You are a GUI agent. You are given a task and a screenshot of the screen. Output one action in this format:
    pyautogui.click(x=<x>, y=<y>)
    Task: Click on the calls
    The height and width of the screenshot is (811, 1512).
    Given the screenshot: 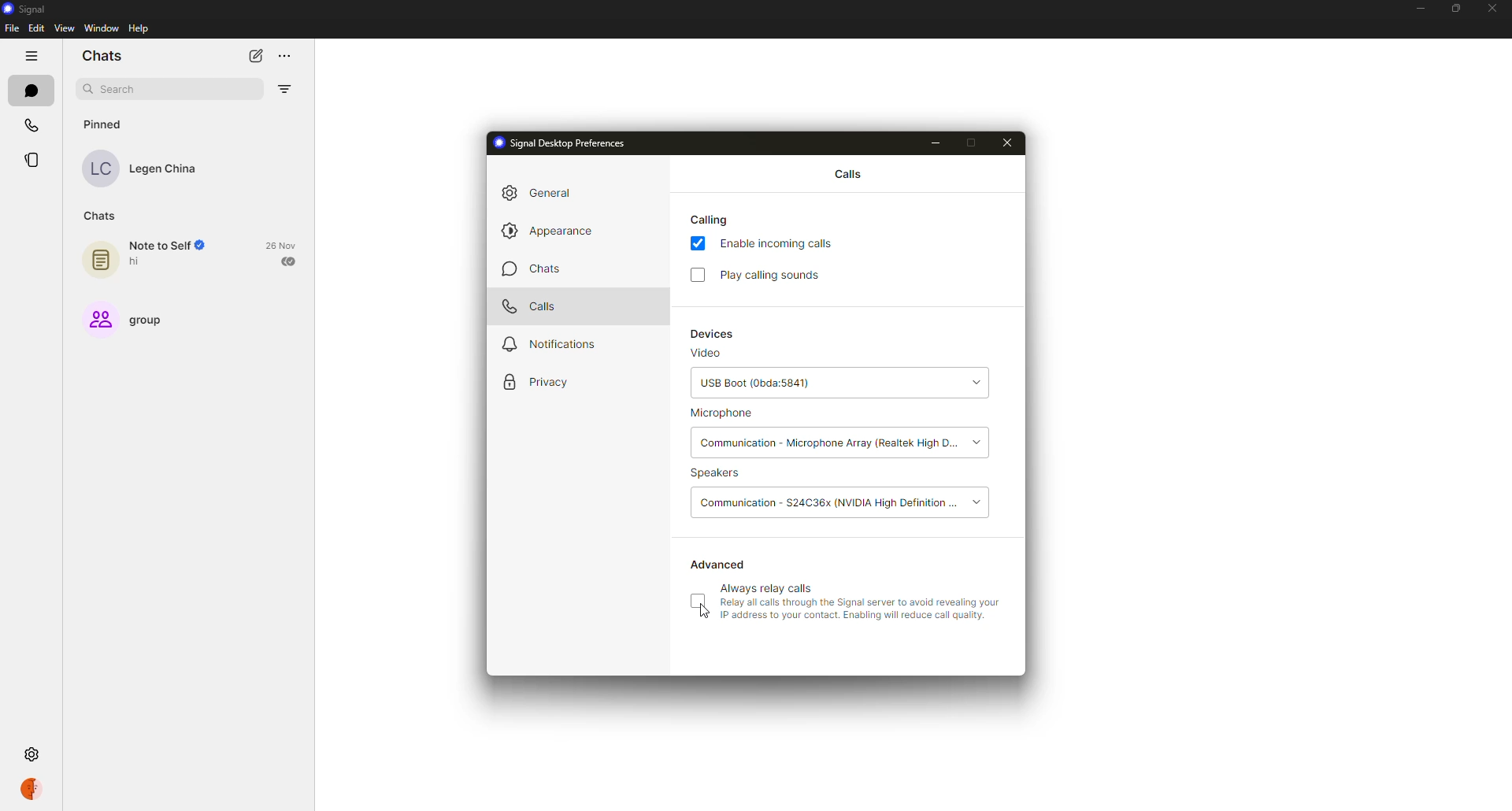 What is the action you would take?
    pyautogui.click(x=532, y=306)
    